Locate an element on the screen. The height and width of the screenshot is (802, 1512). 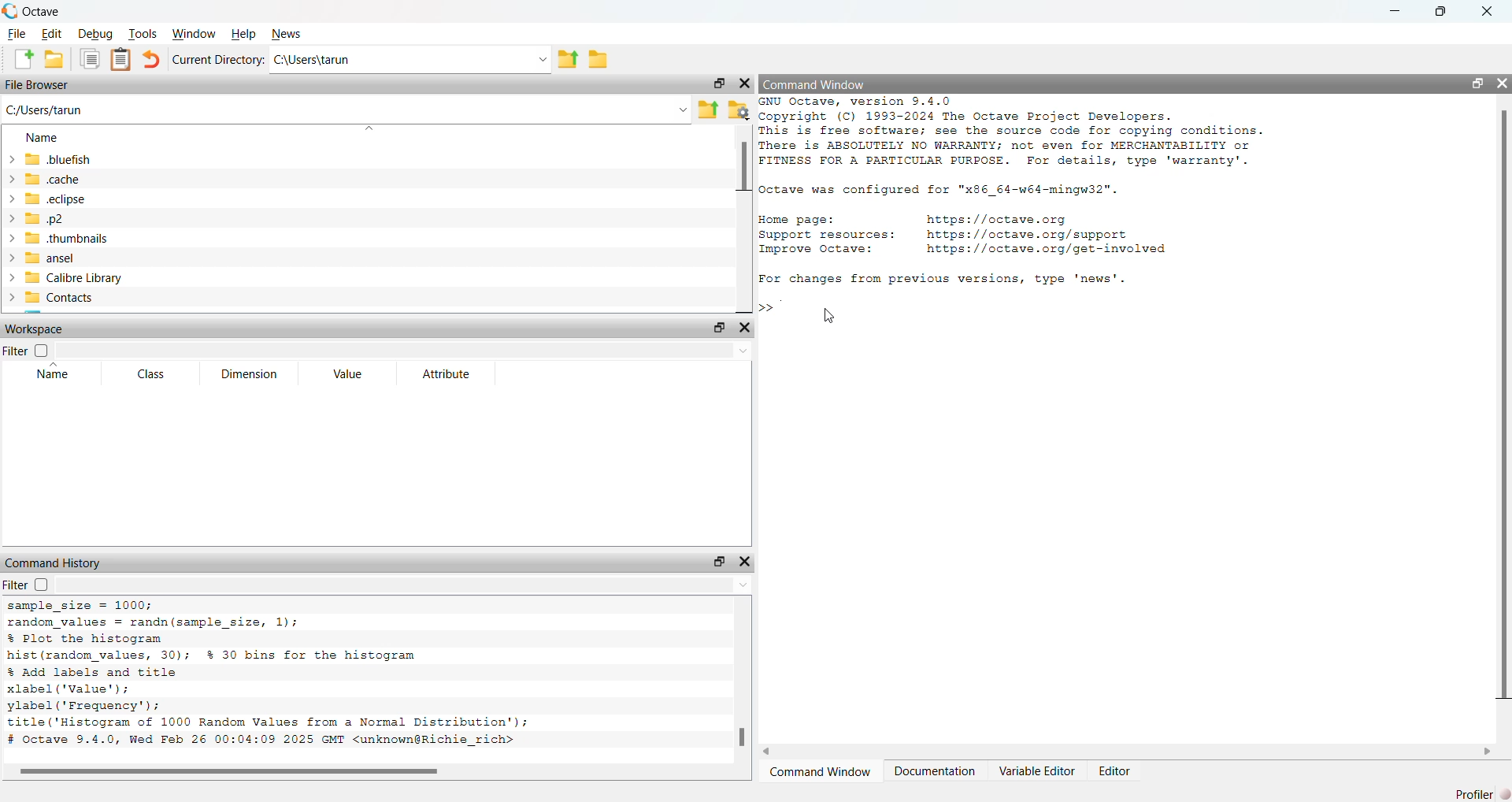
duplicate is located at coordinates (90, 58).